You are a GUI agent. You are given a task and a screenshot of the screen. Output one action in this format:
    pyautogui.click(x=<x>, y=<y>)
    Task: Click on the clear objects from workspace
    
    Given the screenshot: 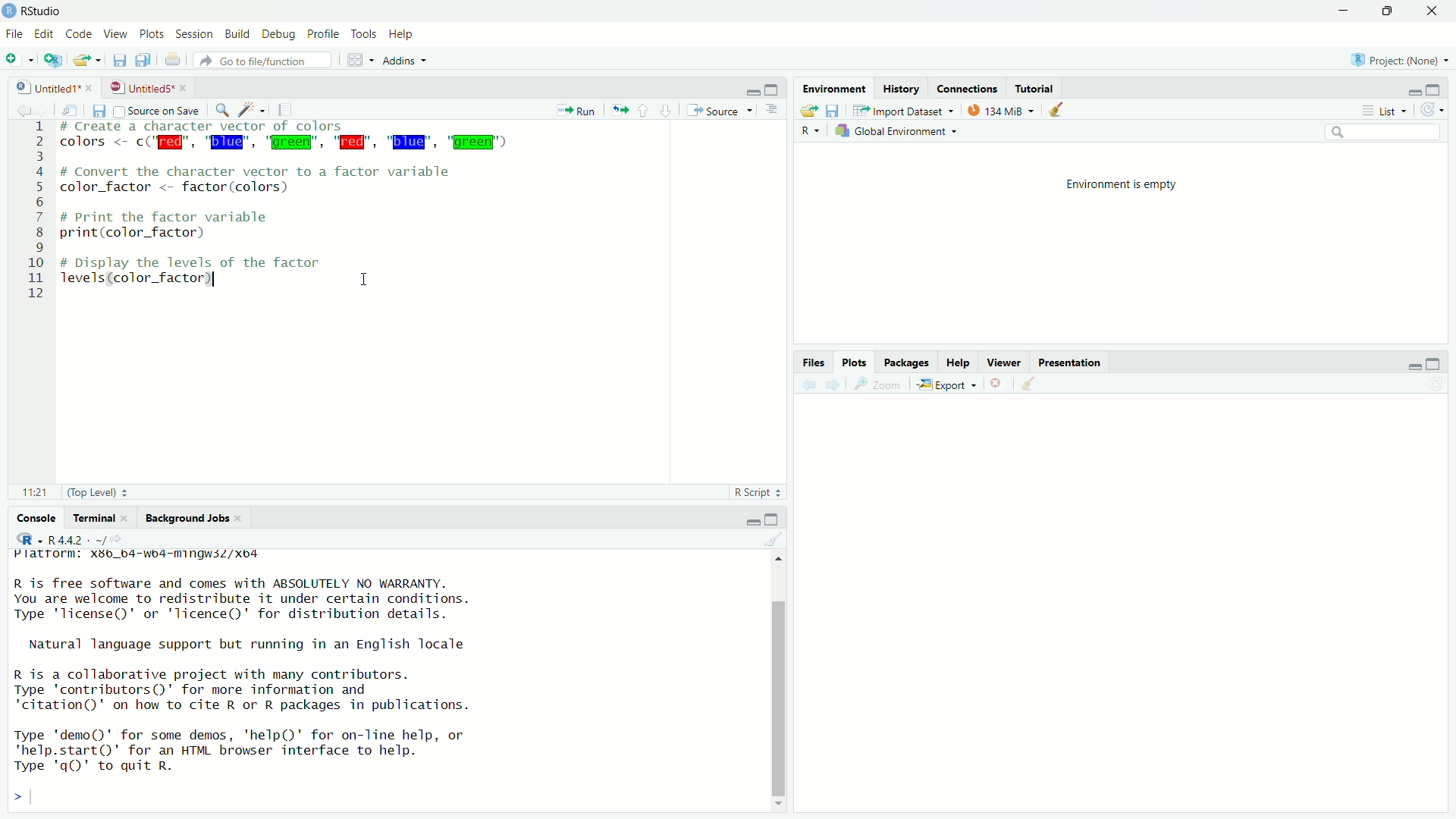 What is the action you would take?
    pyautogui.click(x=1053, y=110)
    